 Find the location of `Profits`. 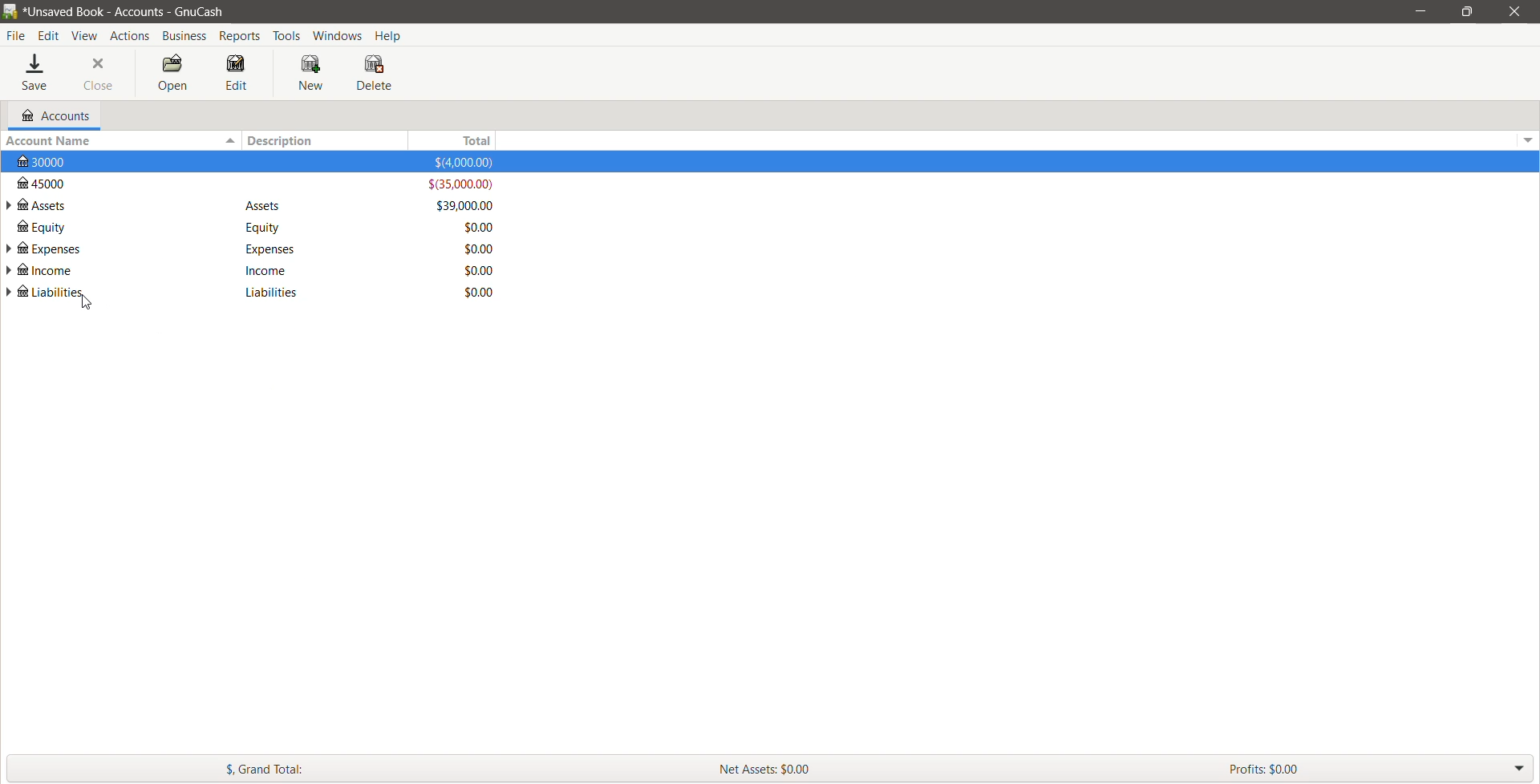

Profits is located at coordinates (1380, 768).